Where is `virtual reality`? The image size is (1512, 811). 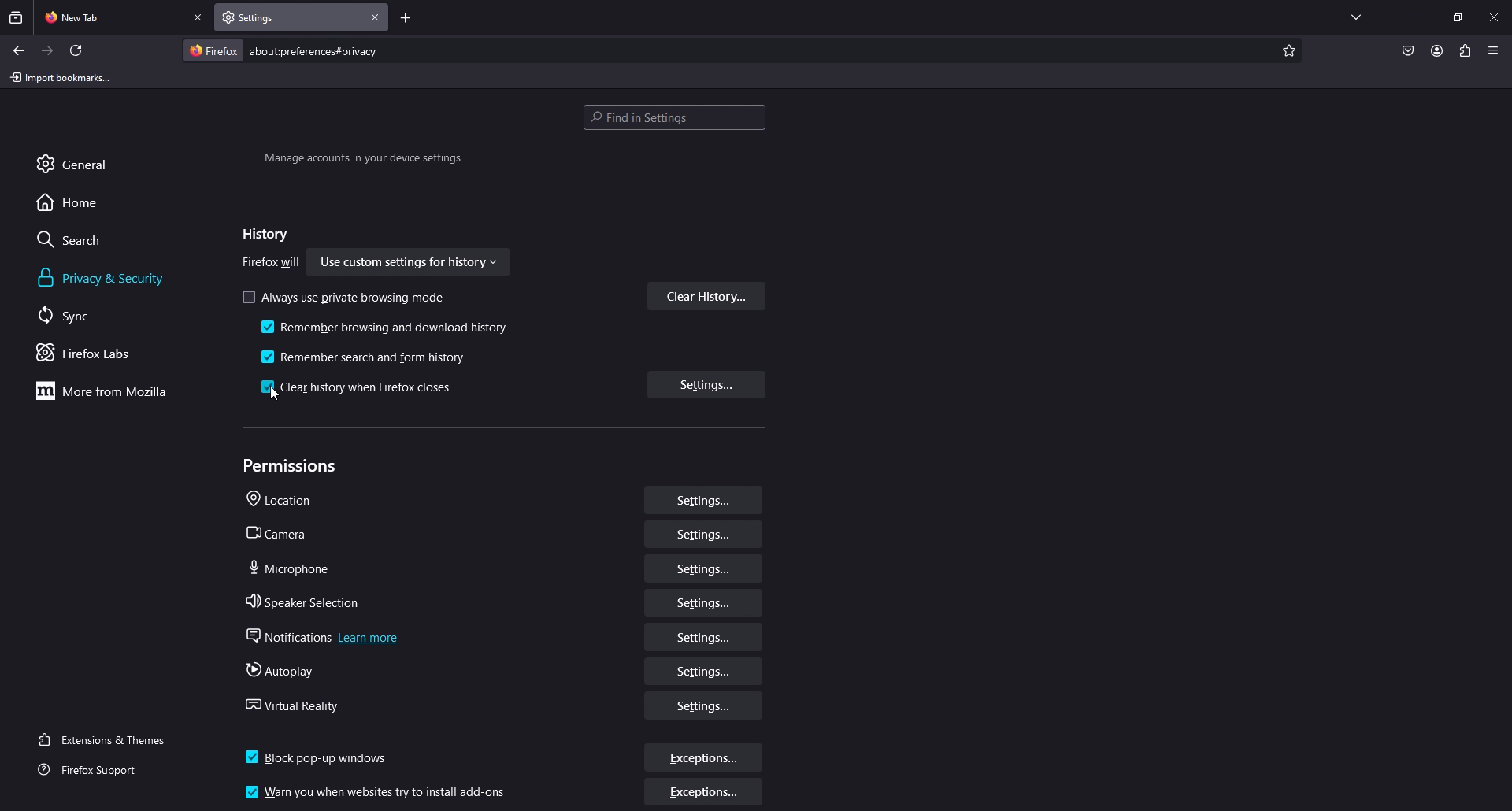
virtual reality is located at coordinates (298, 703).